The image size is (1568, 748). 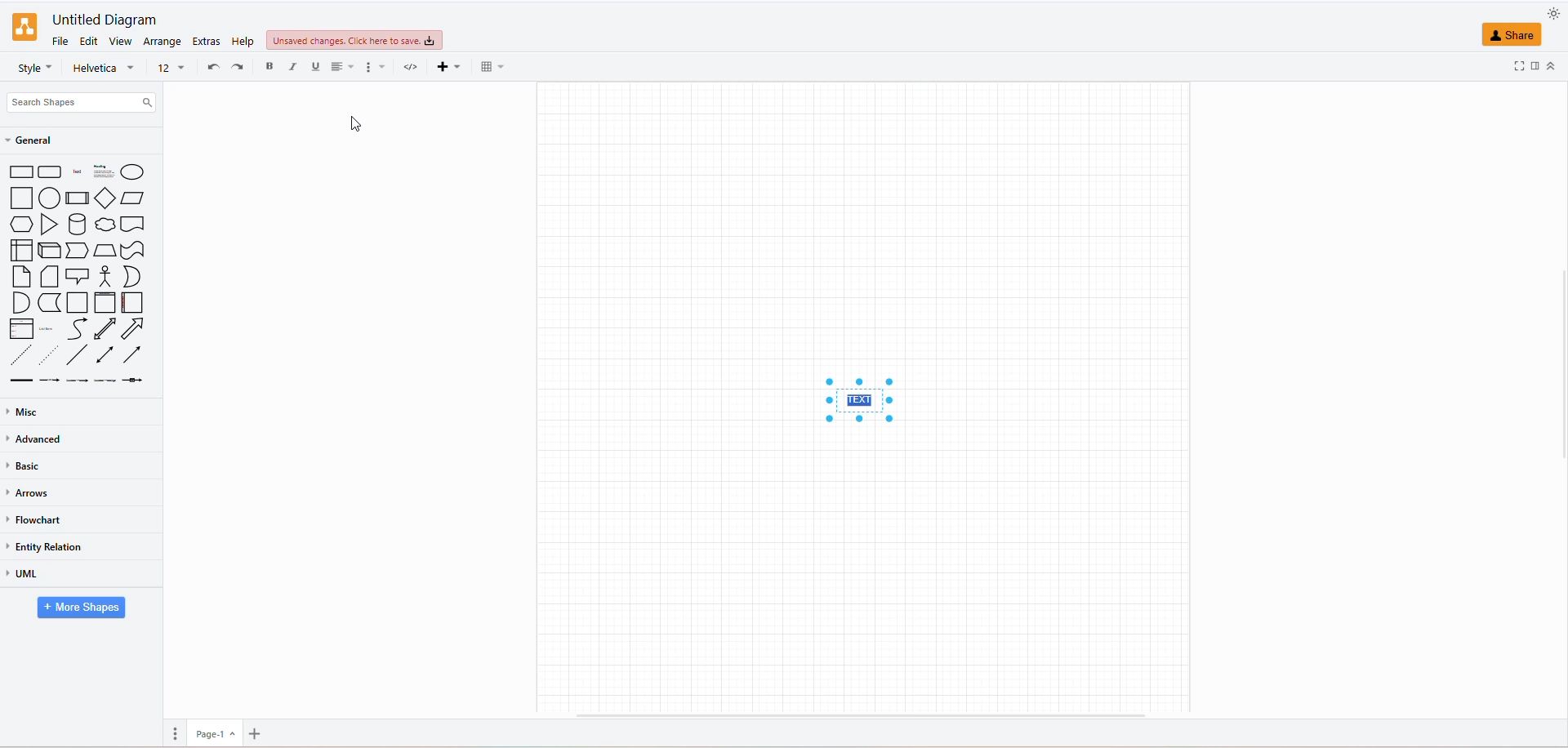 I want to click on underline, so click(x=315, y=65).